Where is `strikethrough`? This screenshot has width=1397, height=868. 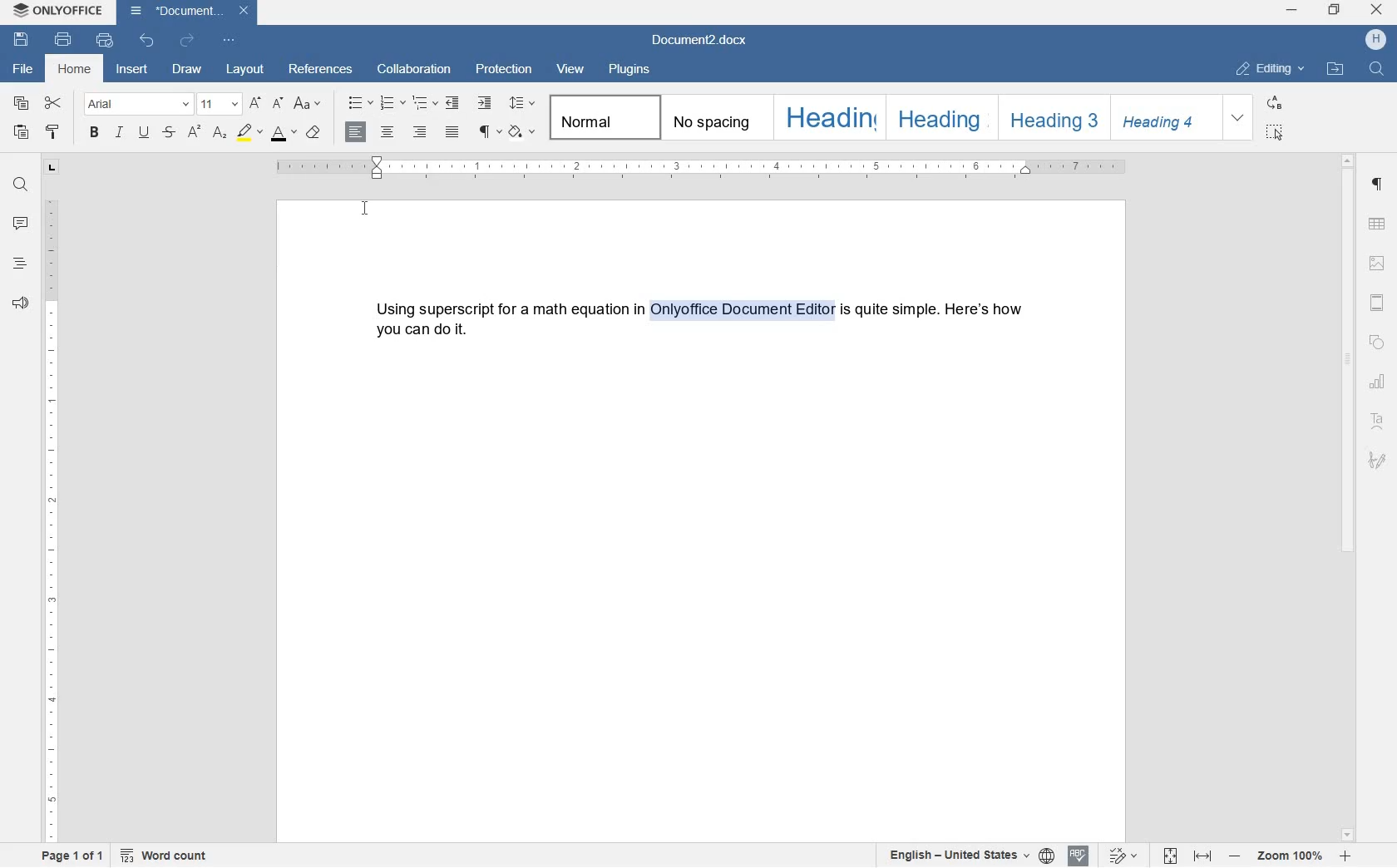
strikethrough is located at coordinates (169, 133).